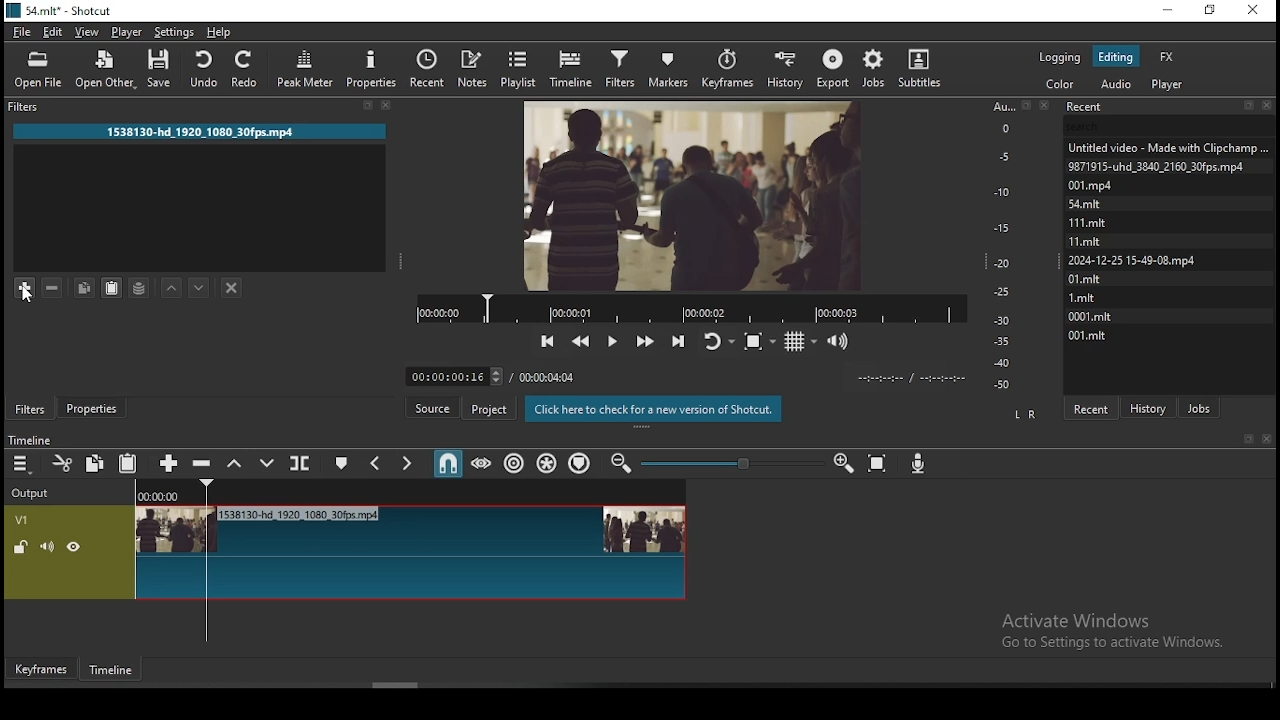  What do you see at coordinates (1167, 85) in the screenshot?
I see `player` at bounding box center [1167, 85].